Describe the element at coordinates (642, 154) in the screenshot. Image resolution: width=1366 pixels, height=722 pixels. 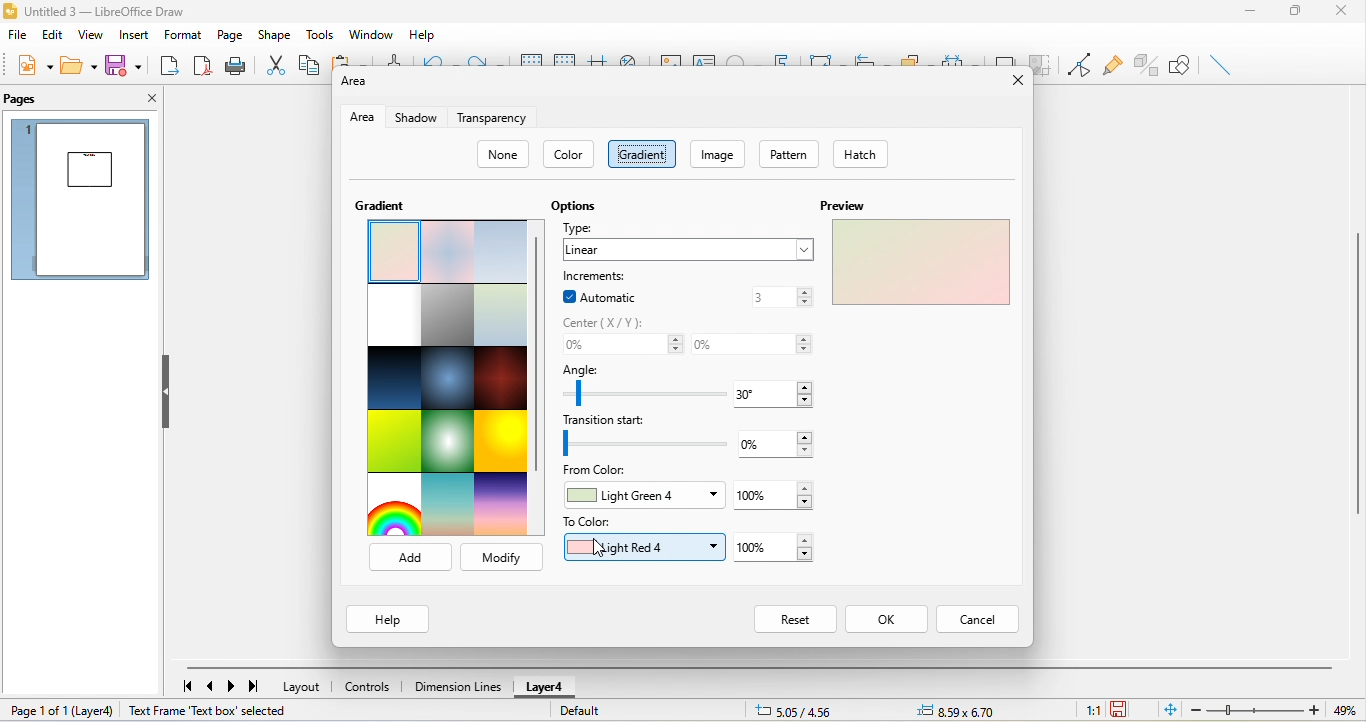
I see `gradient` at that location.